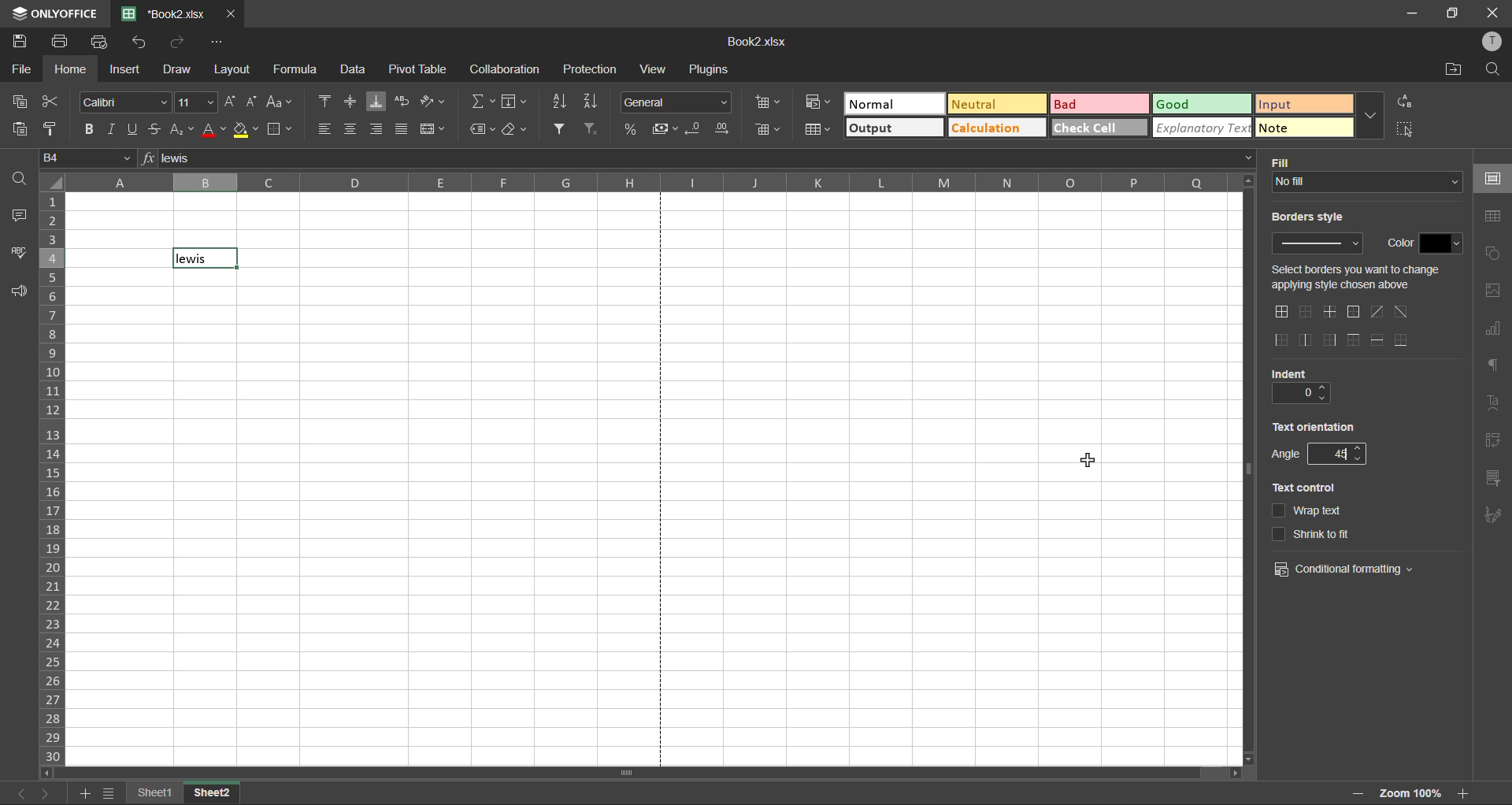  What do you see at coordinates (1346, 569) in the screenshot?
I see `conditional formatting` at bounding box center [1346, 569].